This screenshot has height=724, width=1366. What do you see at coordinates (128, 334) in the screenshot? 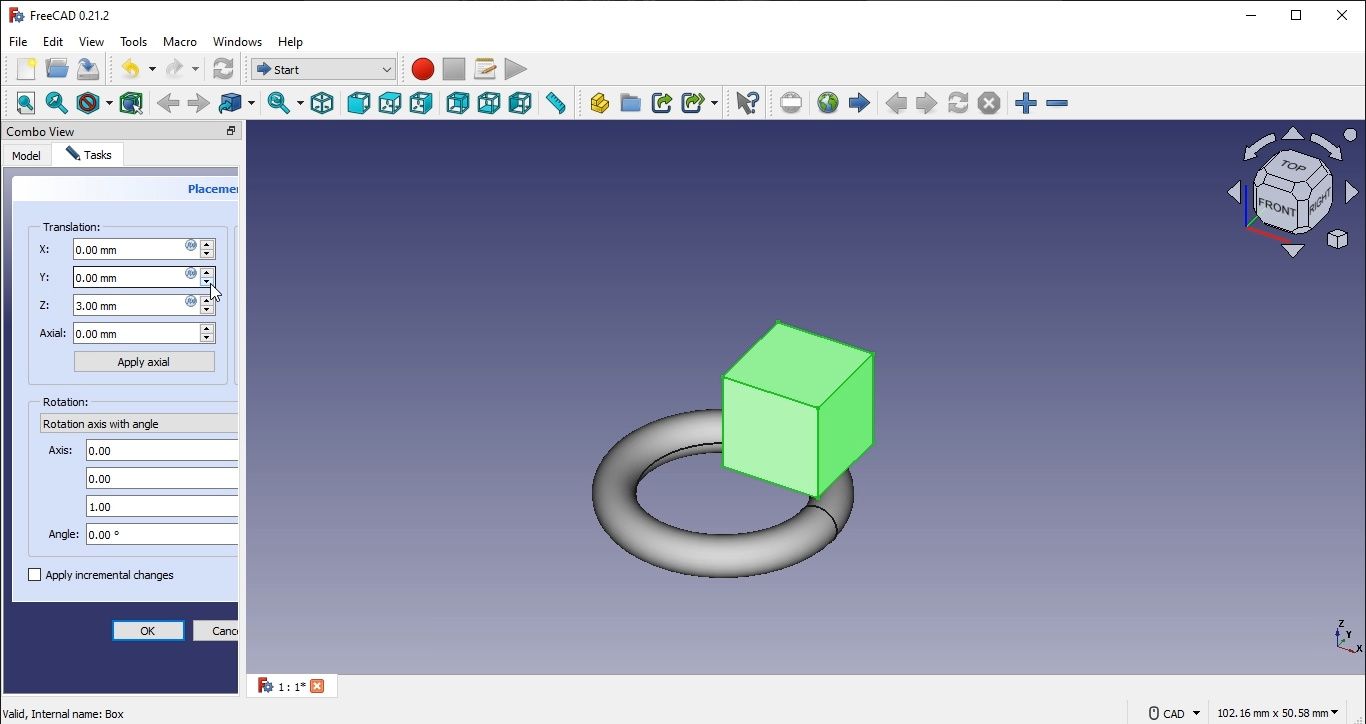
I see `axial` at bounding box center [128, 334].